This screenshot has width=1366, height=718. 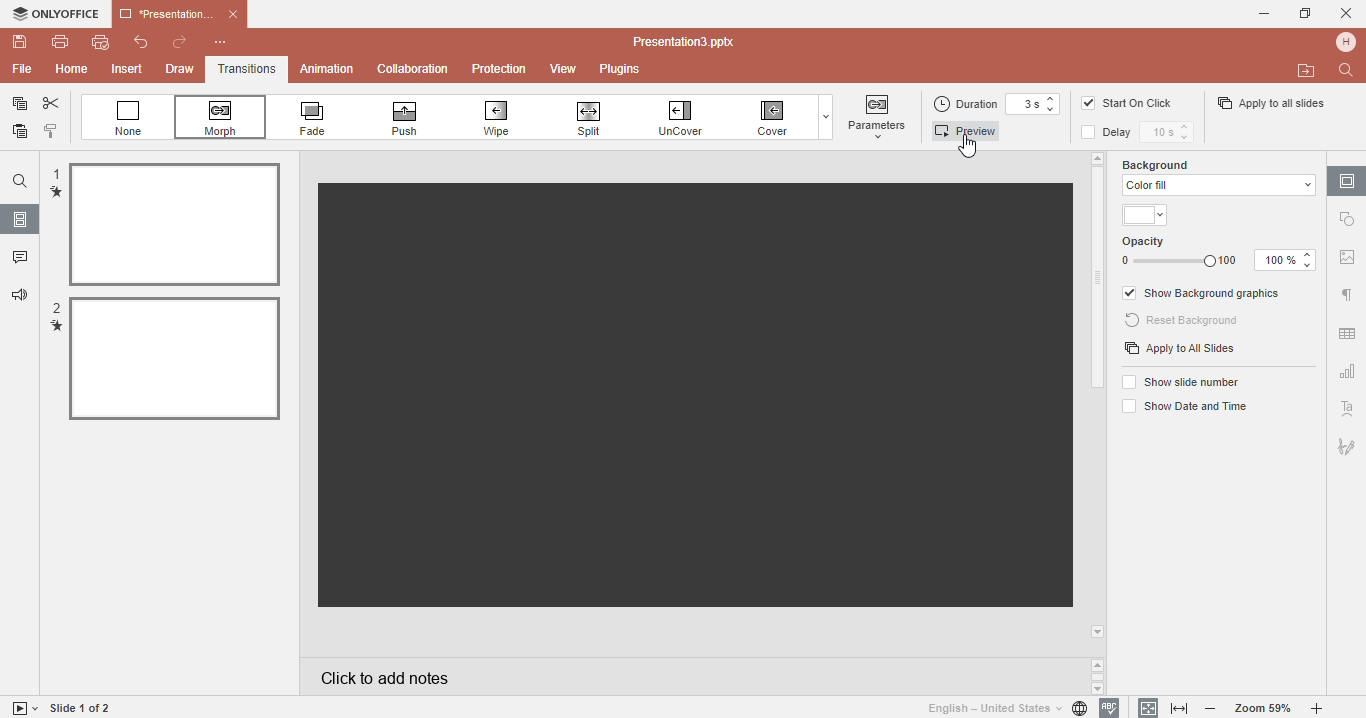 I want to click on Zoom, so click(x=1264, y=708).